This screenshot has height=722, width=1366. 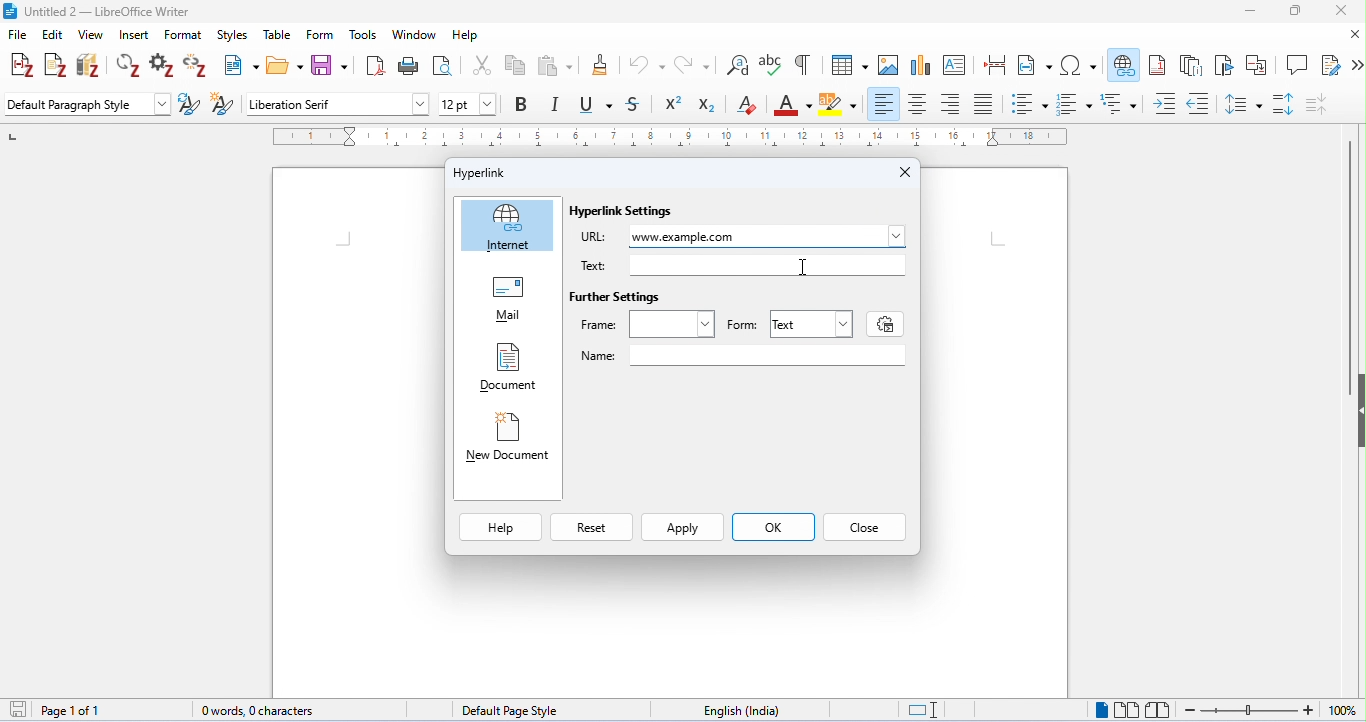 I want to click on insert endnote, so click(x=1193, y=65).